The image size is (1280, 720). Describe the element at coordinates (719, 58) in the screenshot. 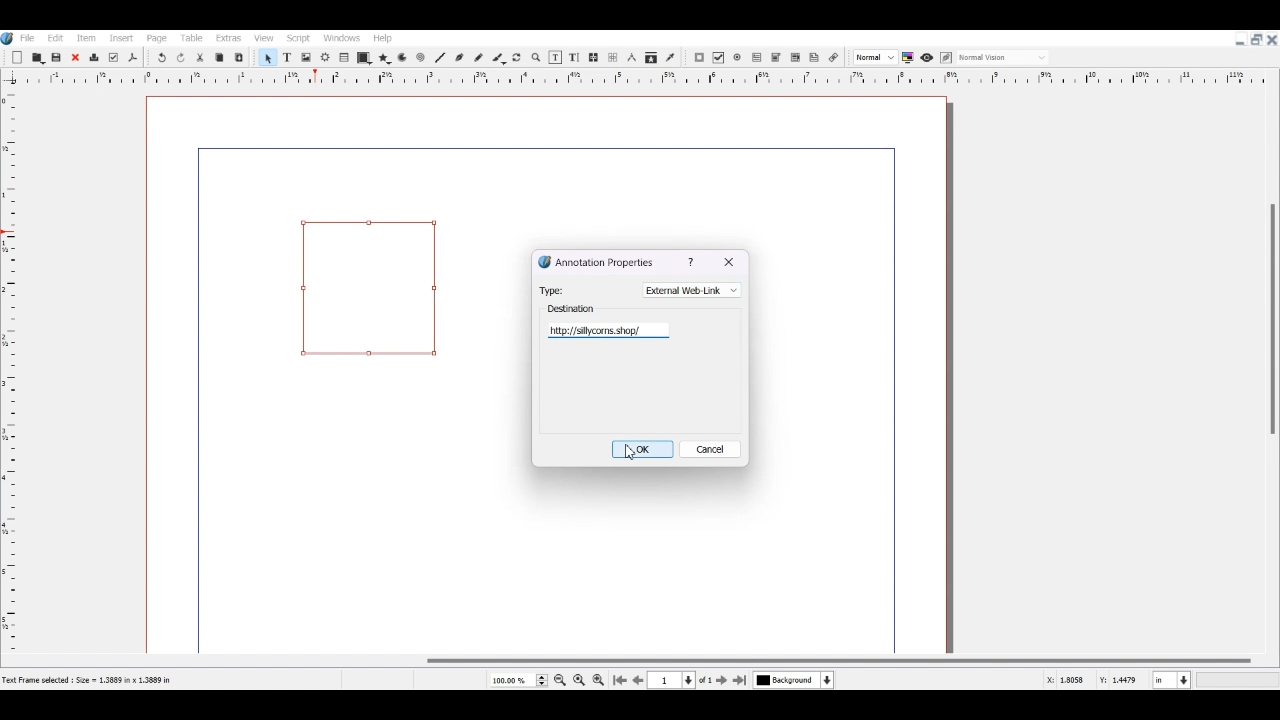

I see `PDF Check Box` at that location.